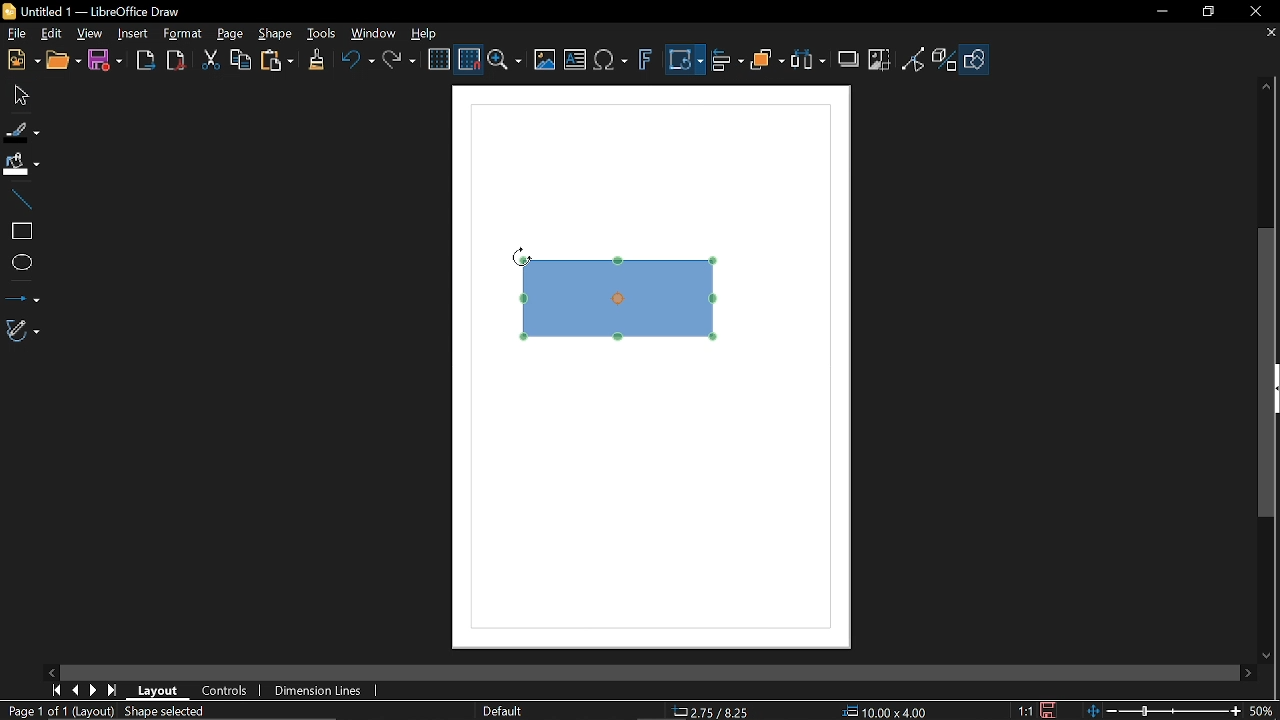 The height and width of the screenshot is (720, 1280). Describe the element at coordinates (622, 297) in the screenshot. I see `Rectangle (selected diagram)` at that location.